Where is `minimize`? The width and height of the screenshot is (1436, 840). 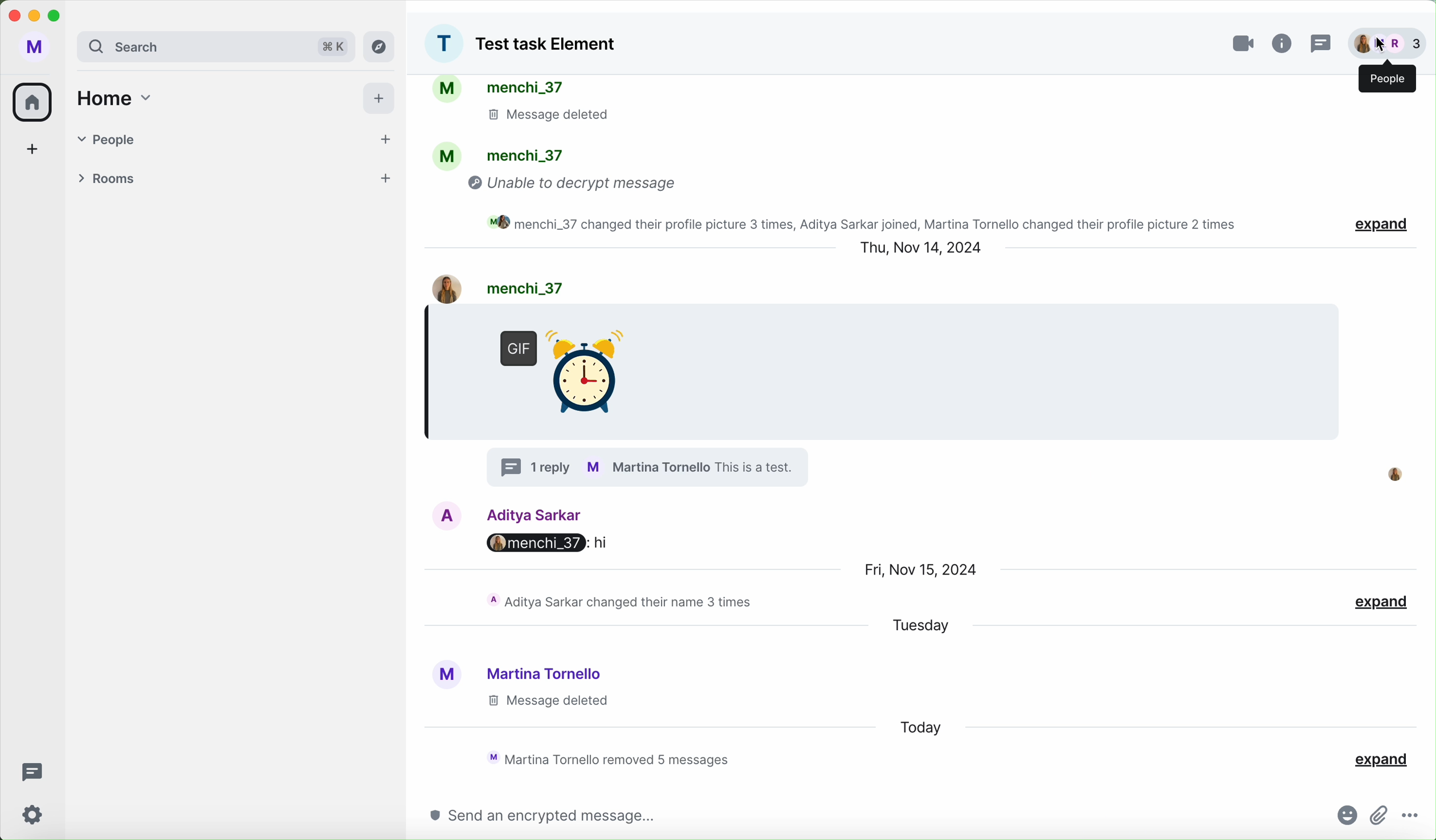 minimize is located at coordinates (34, 17).